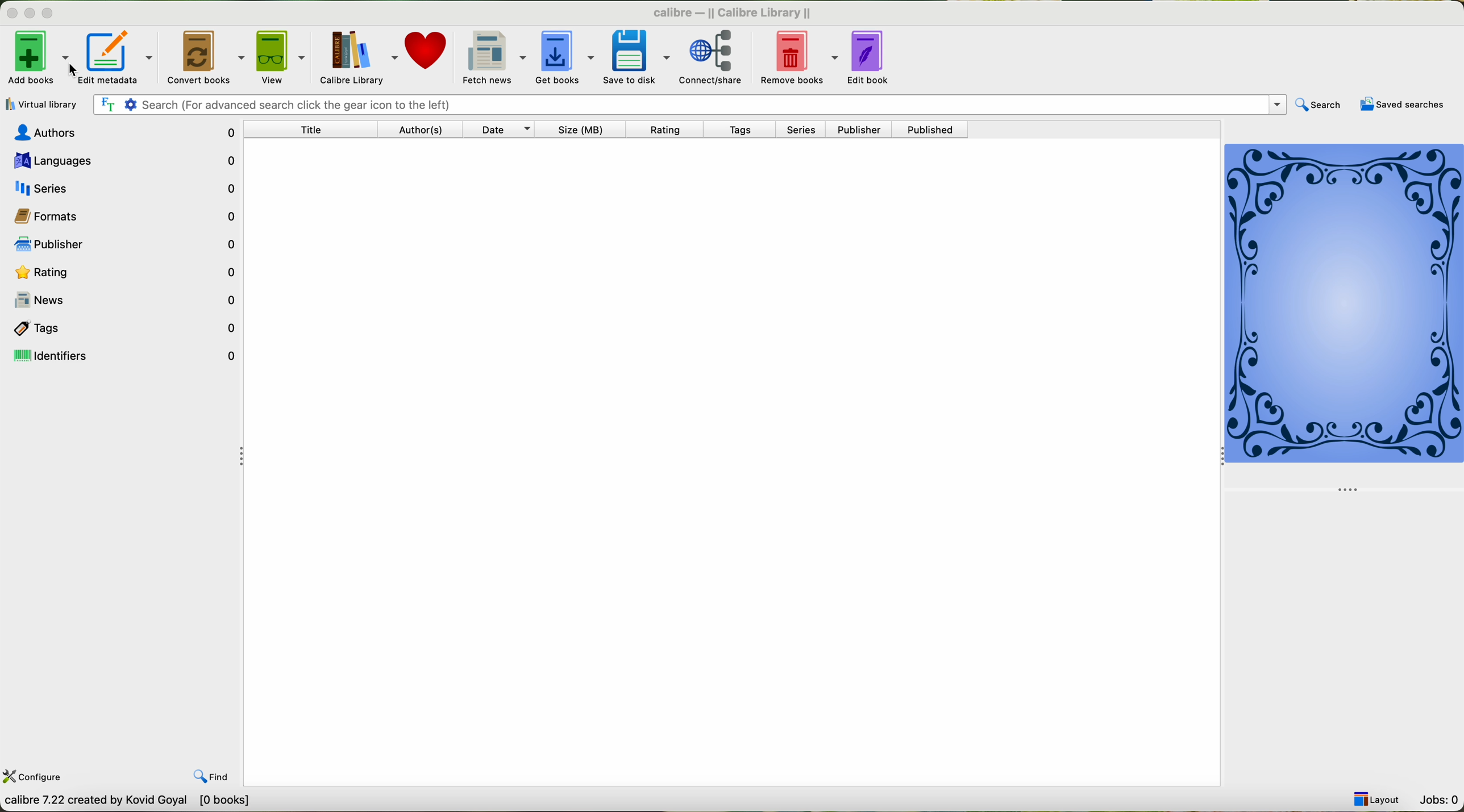 The width and height of the screenshot is (1464, 812). What do you see at coordinates (123, 133) in the screenshot?
I see `authors` at bounding box center [123, 133].